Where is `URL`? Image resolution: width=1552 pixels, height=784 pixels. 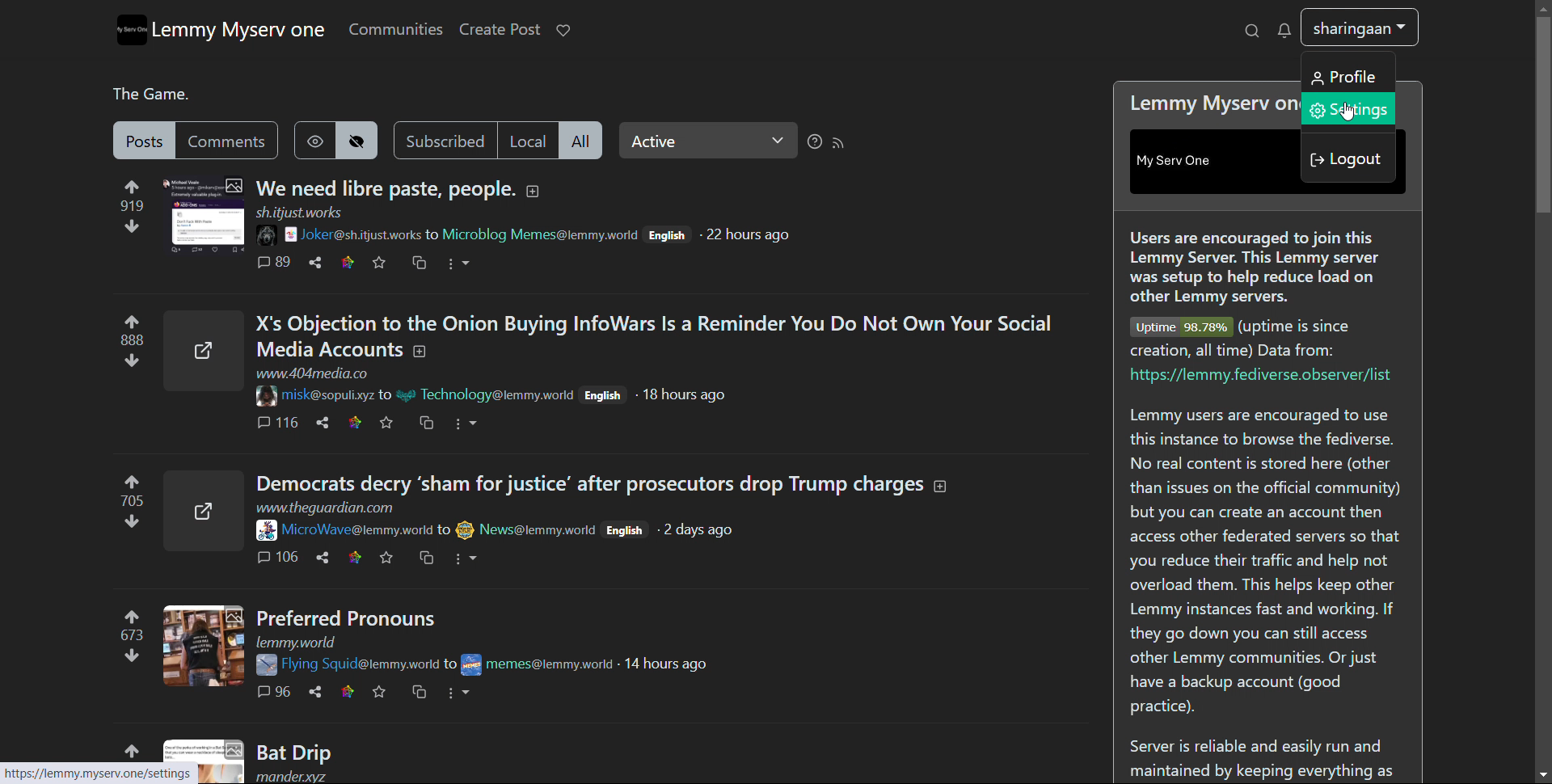
URL is located at coordinates (323, 373).